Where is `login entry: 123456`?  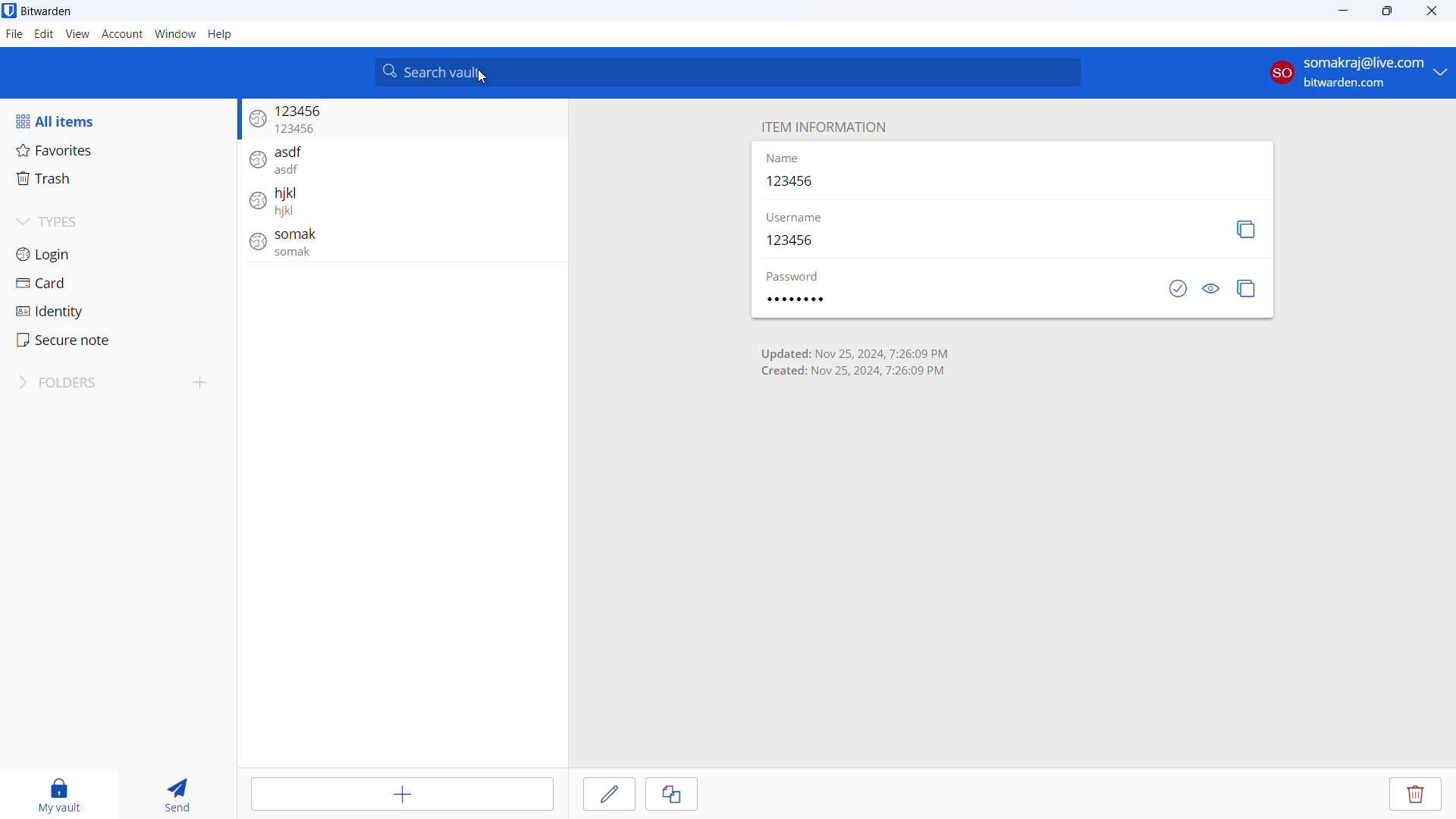
login entry: 123456 is located at coordinates (402, 121).